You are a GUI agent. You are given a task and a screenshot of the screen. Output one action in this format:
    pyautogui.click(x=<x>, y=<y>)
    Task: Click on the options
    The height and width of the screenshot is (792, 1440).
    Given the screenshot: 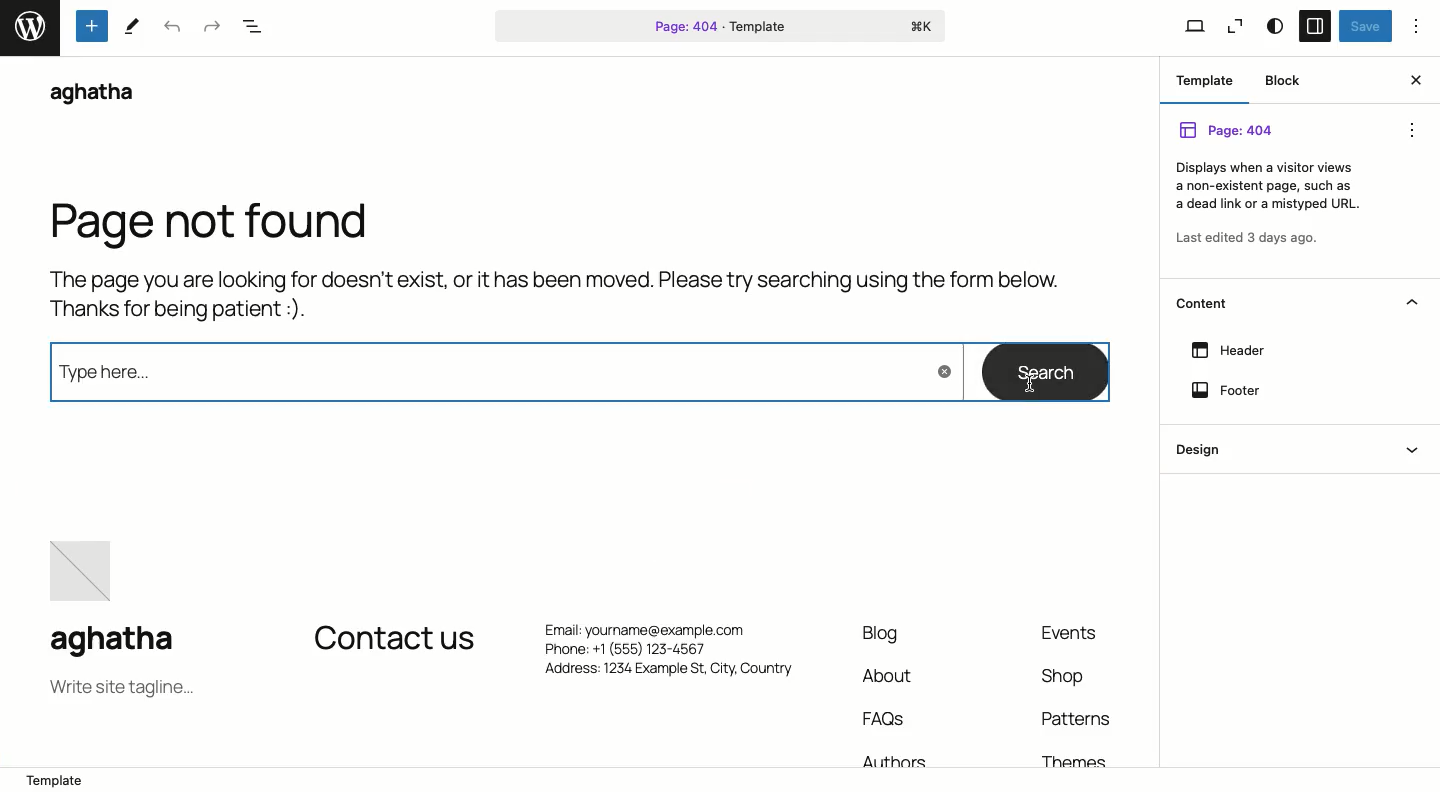 What is the action you would take?
    pyautogui.click(x=1413, y=131)
    